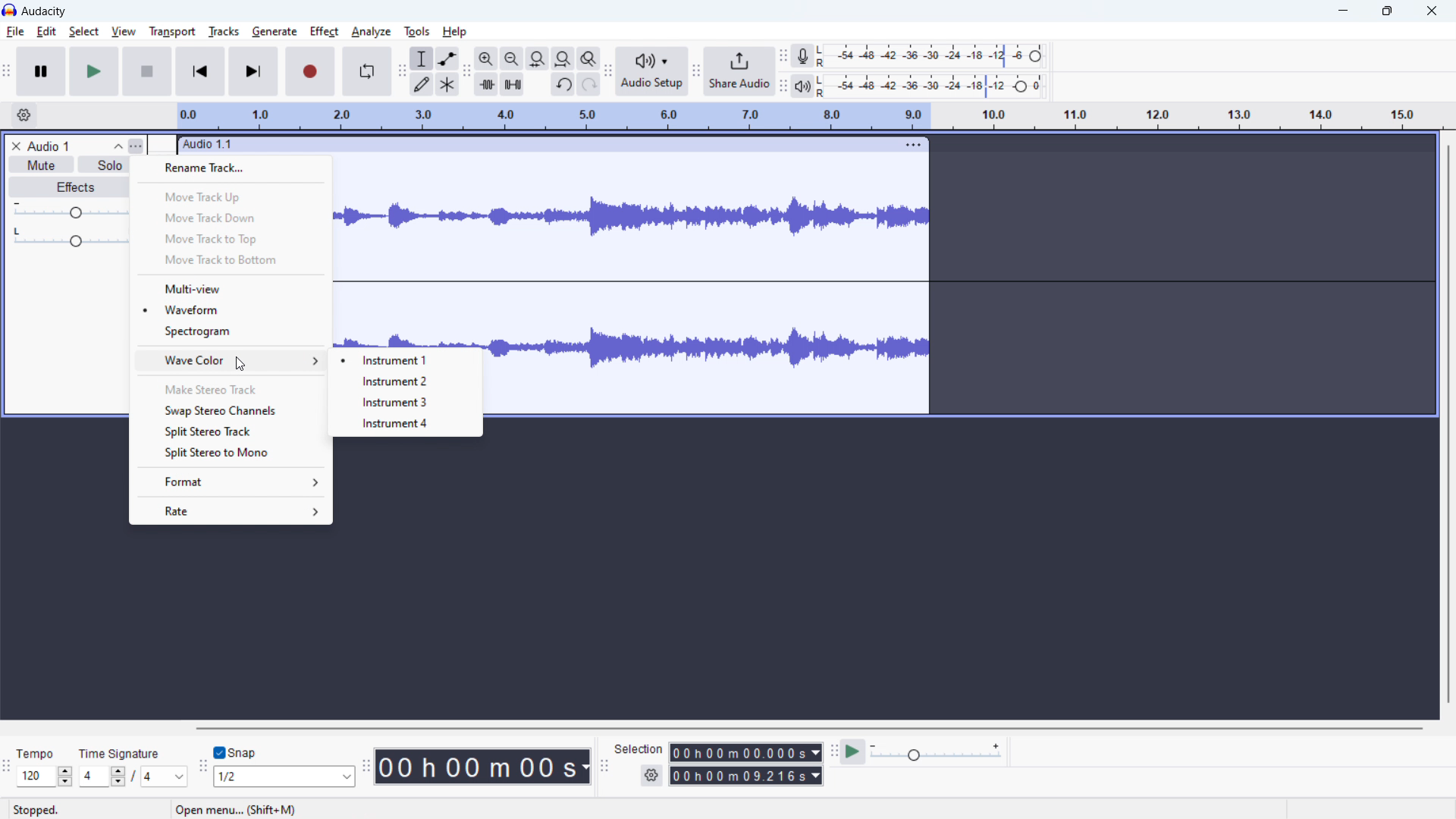 The image size is (1456, 819). What do you see at coordinates (486, 58) in the screenshot?
I see `zoom in` at bounding box center [486, 58].